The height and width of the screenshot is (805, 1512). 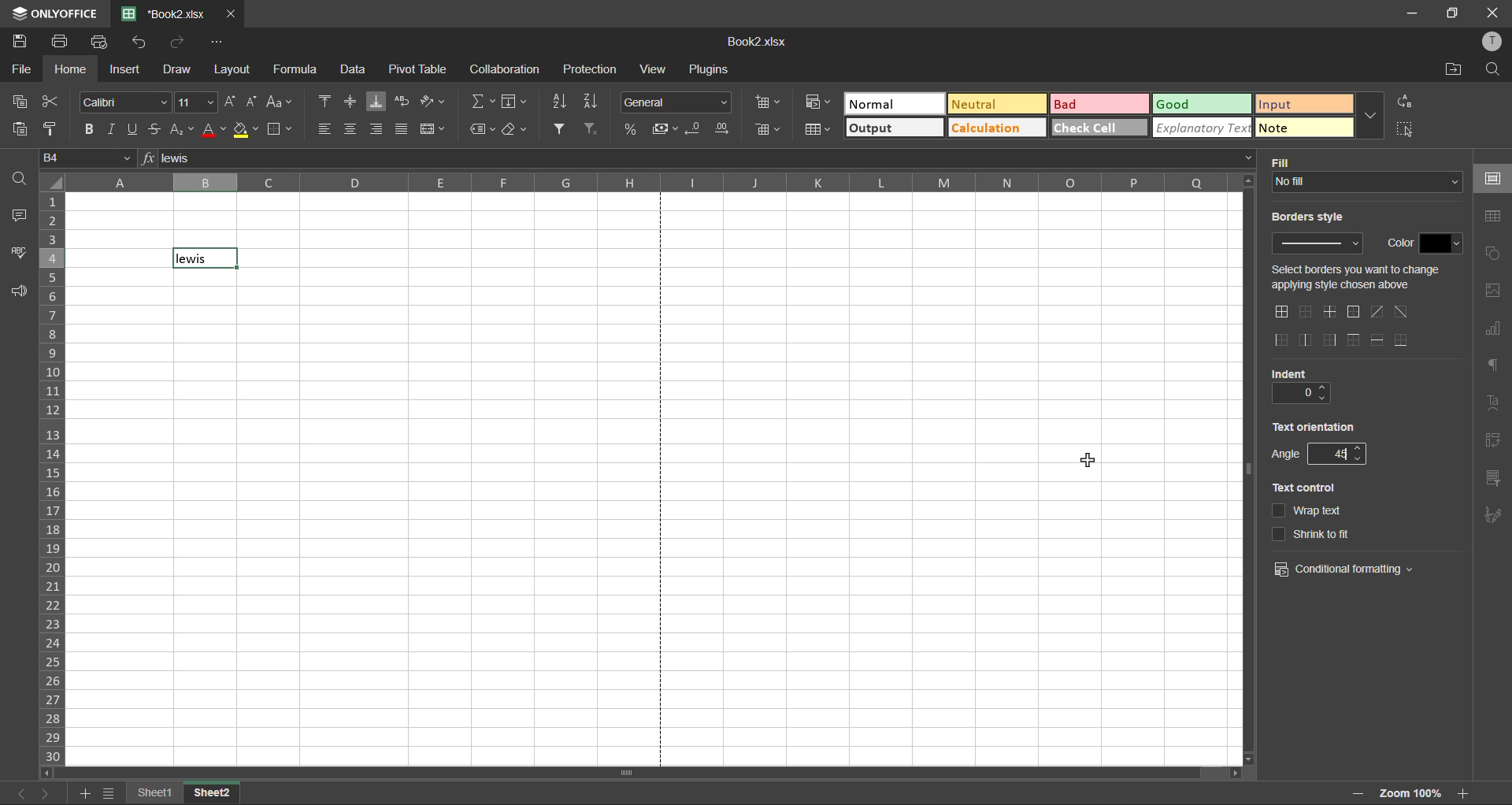 What do you see at coordinates (1203, 129) in the screenshot?
I see `explanatory text` at bounding box center [1203, 129].